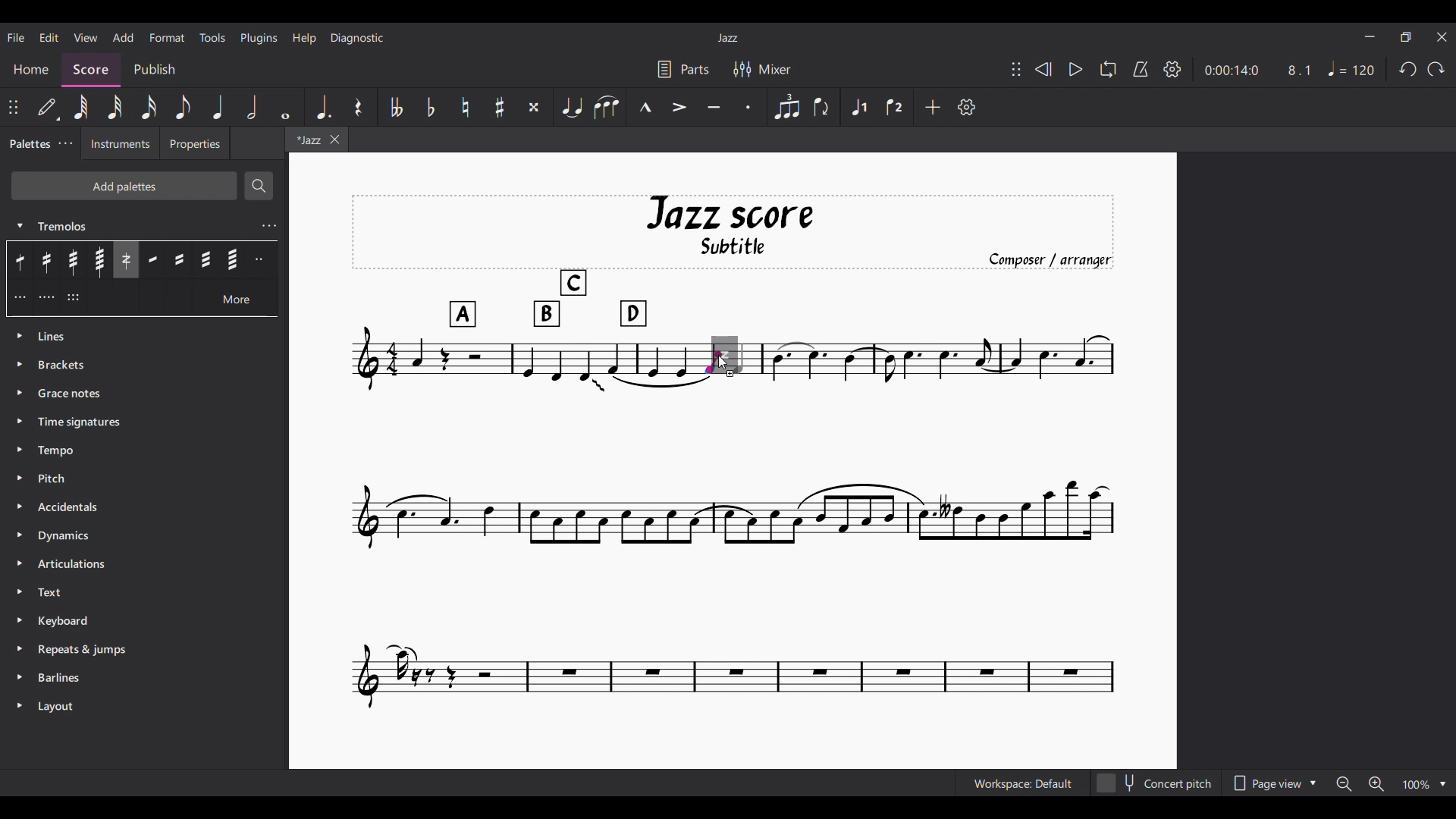 The width and height of the screenshot is (1456, 819). Describe the element at coordinates (206, 259) in the screenshot. I see `32nd between notes` at that location.